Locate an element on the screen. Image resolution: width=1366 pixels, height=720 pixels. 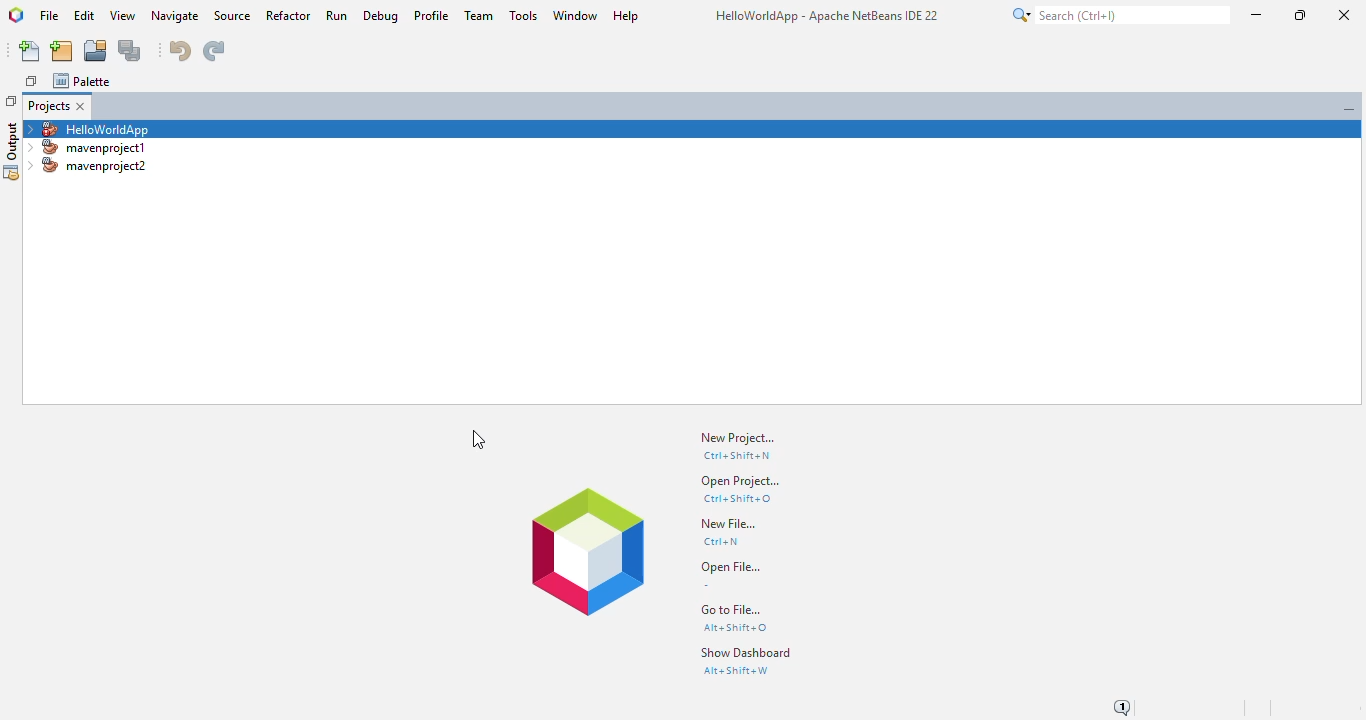
new project is located at coordinates (61, 51).